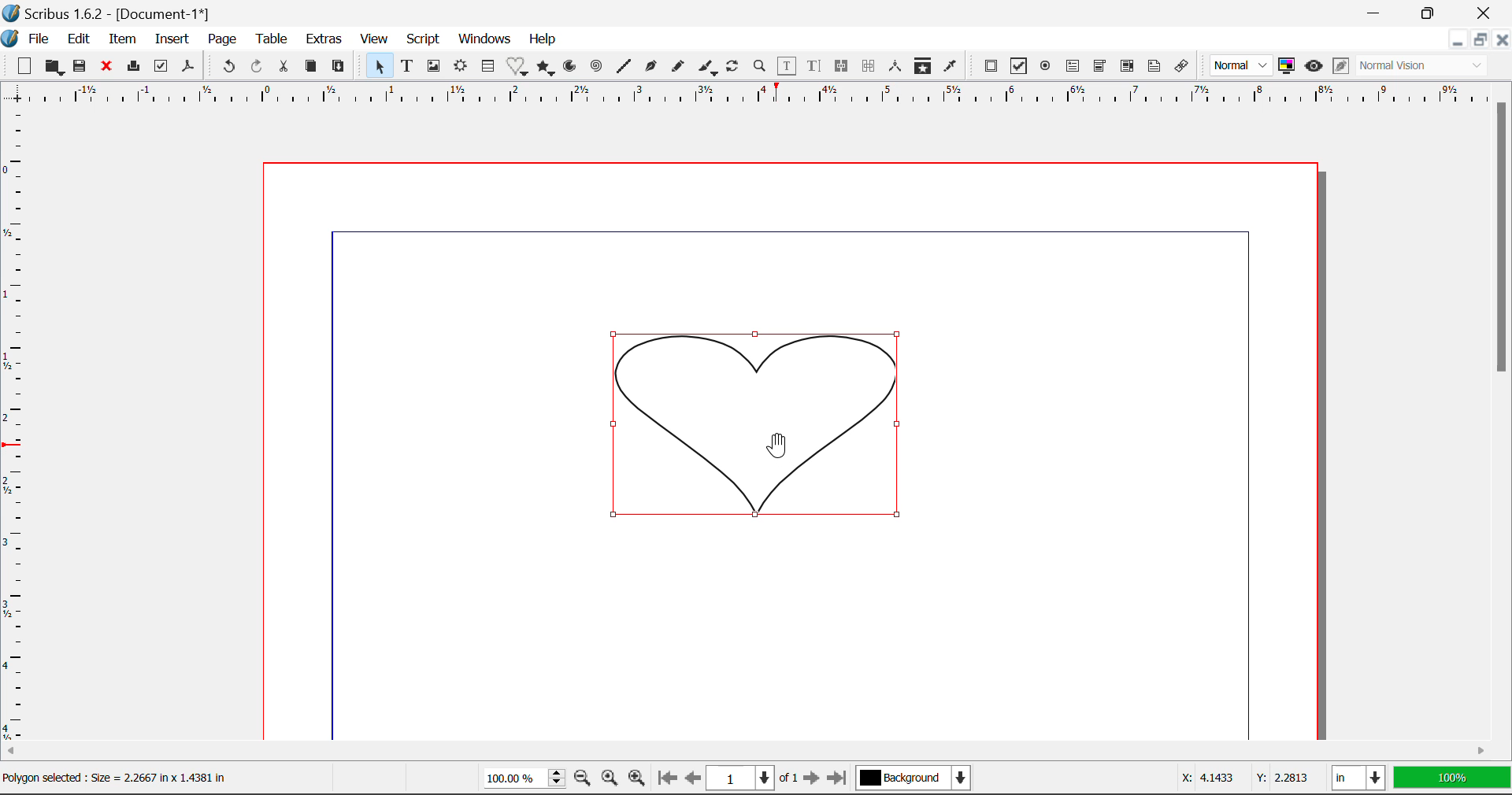  Describe the element at coordinates (24, 68) in the screenshot. I see `New` at that location.